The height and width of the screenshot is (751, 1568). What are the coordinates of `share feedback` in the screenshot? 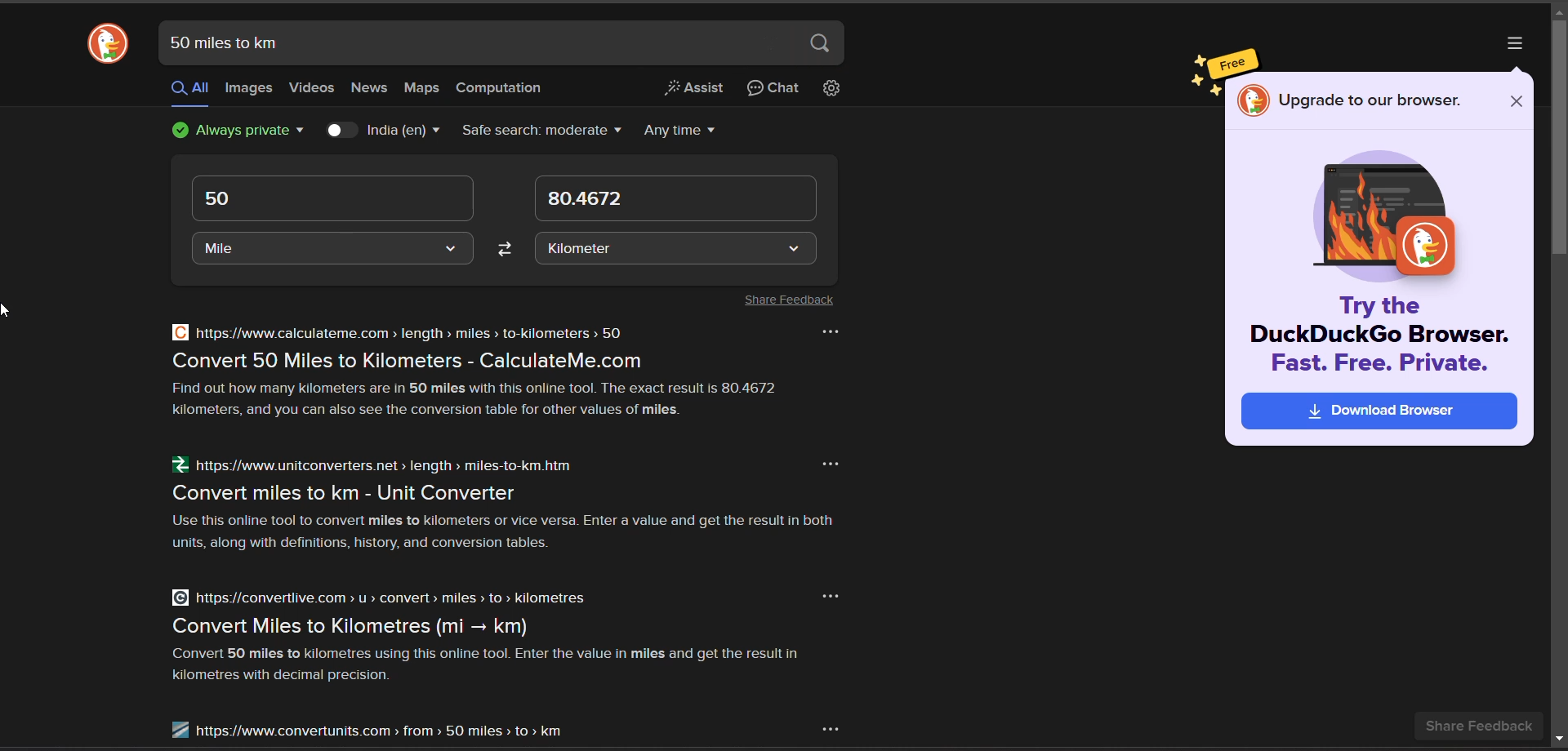 It's located at (1478, 727).